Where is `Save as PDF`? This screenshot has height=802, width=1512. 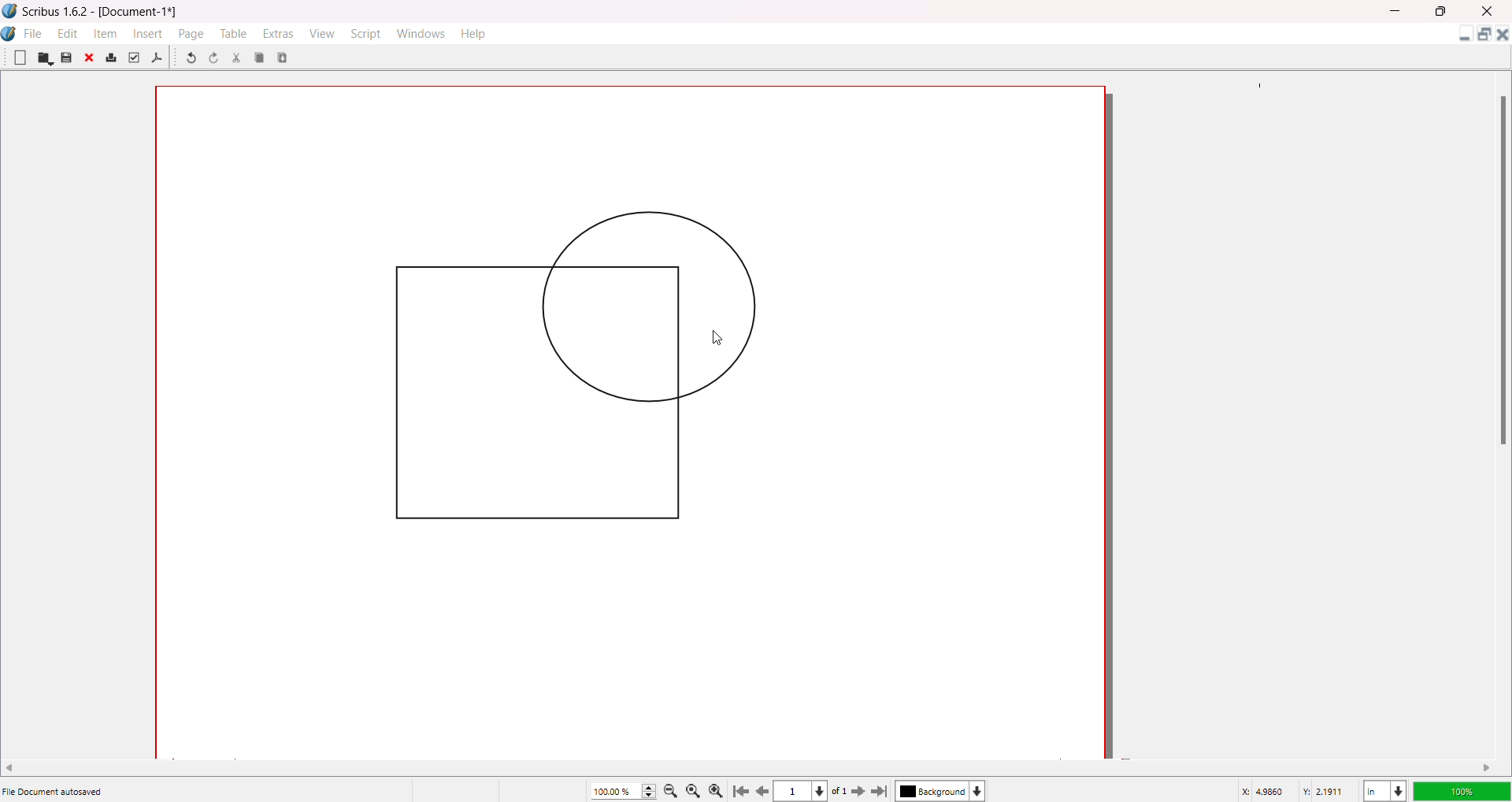 Save as PDF is located at coordinates (157, 58).